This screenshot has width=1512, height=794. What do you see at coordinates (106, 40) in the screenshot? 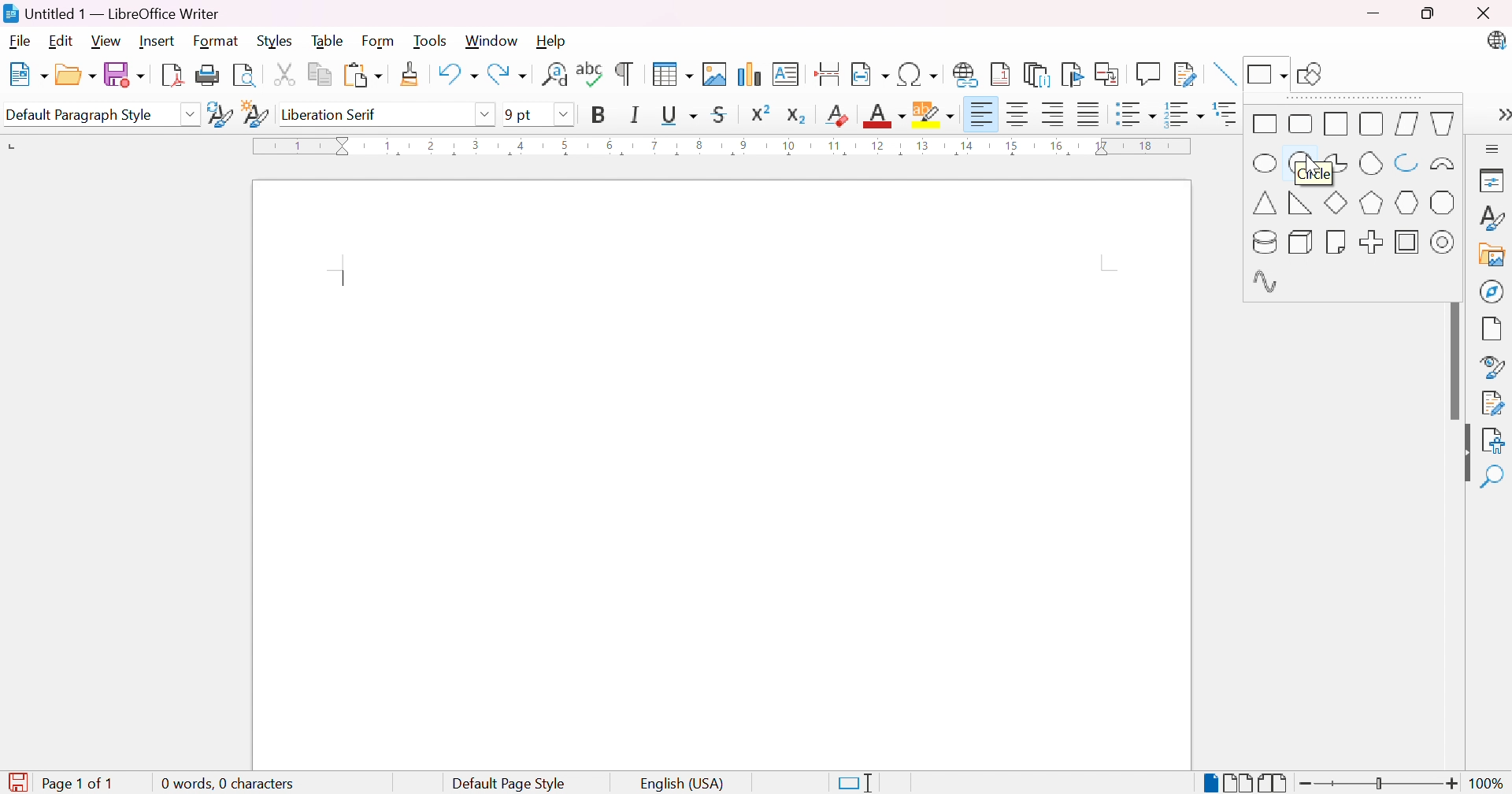
I see `View` at bounding box center [106, 40].